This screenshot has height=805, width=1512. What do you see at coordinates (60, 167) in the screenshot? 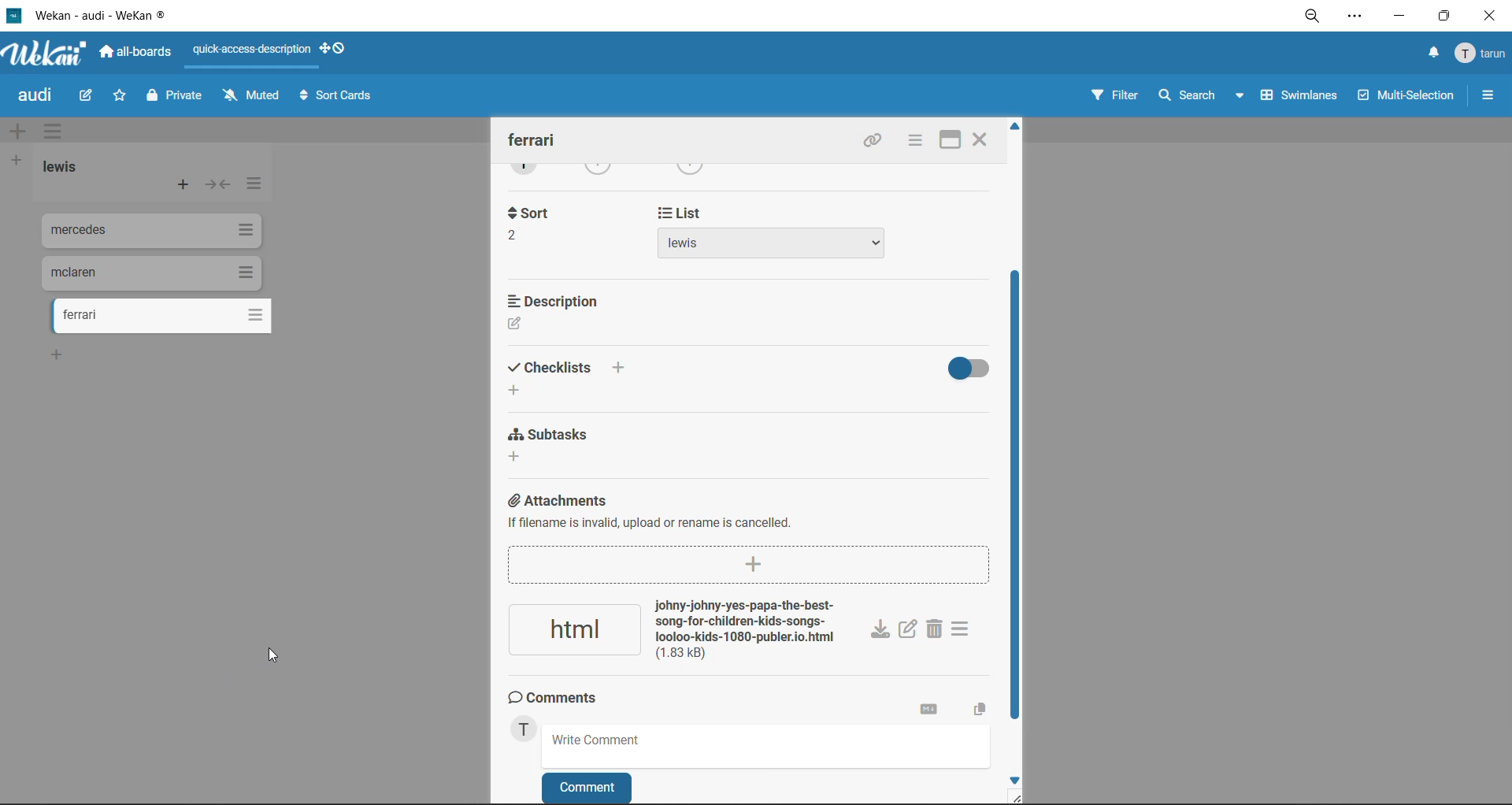
I see `list title` at bounding box center [60, 167].